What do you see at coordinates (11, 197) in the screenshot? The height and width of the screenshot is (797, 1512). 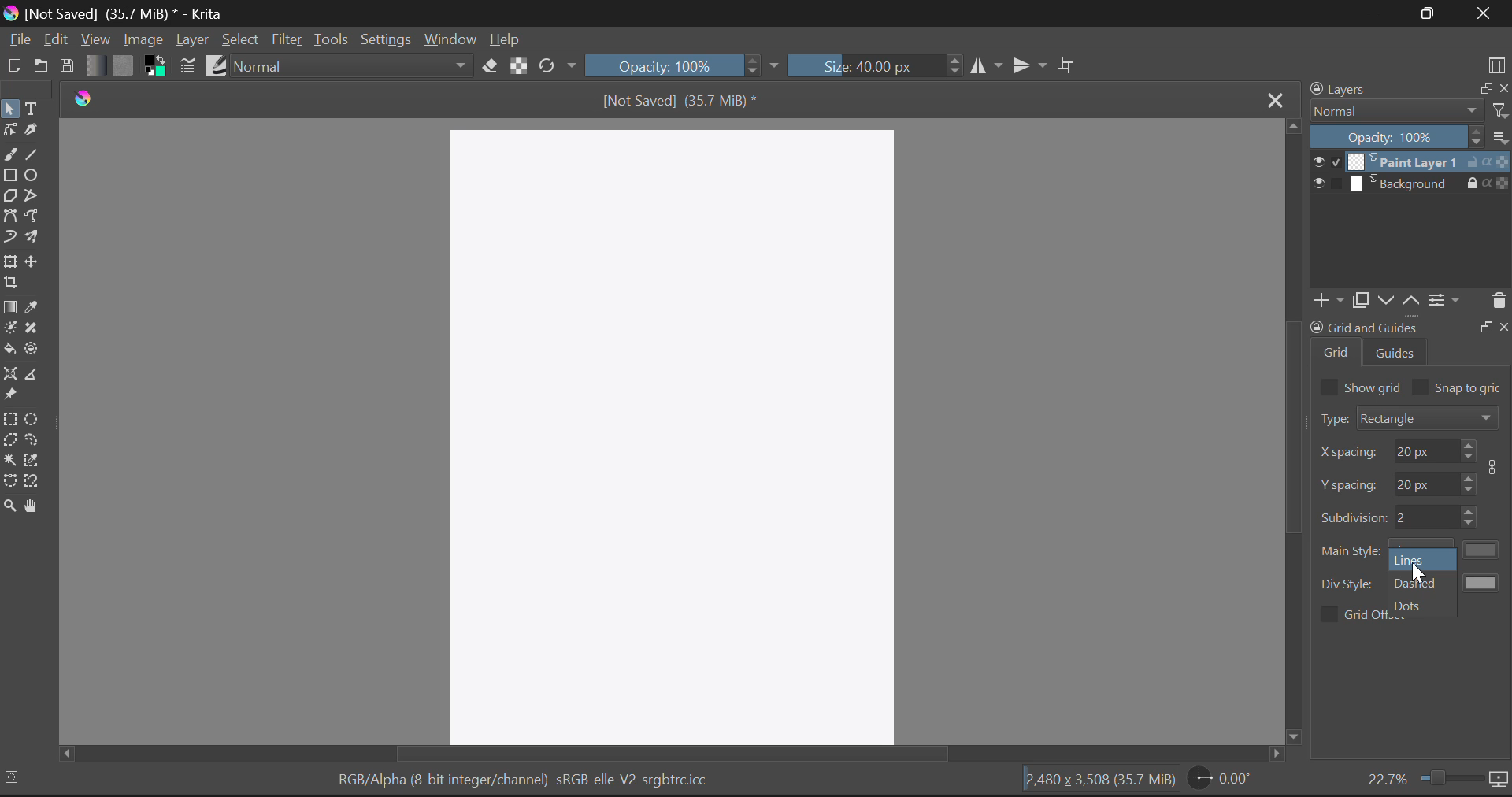 I see `Polygon` at bounding box center [11, 197].